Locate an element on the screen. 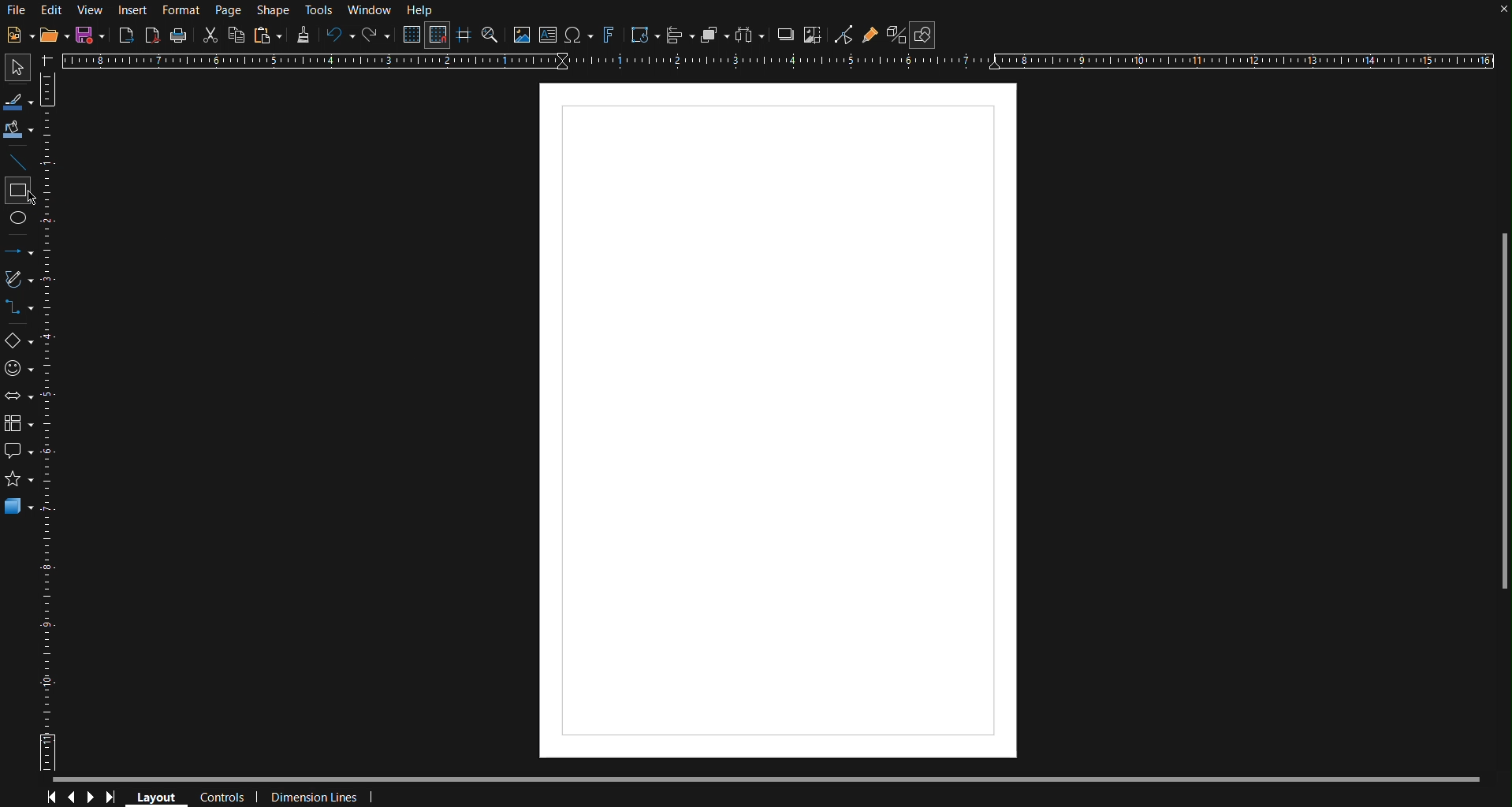 The image size is (1512, 807). Cut is located at coordinates (208, 35).